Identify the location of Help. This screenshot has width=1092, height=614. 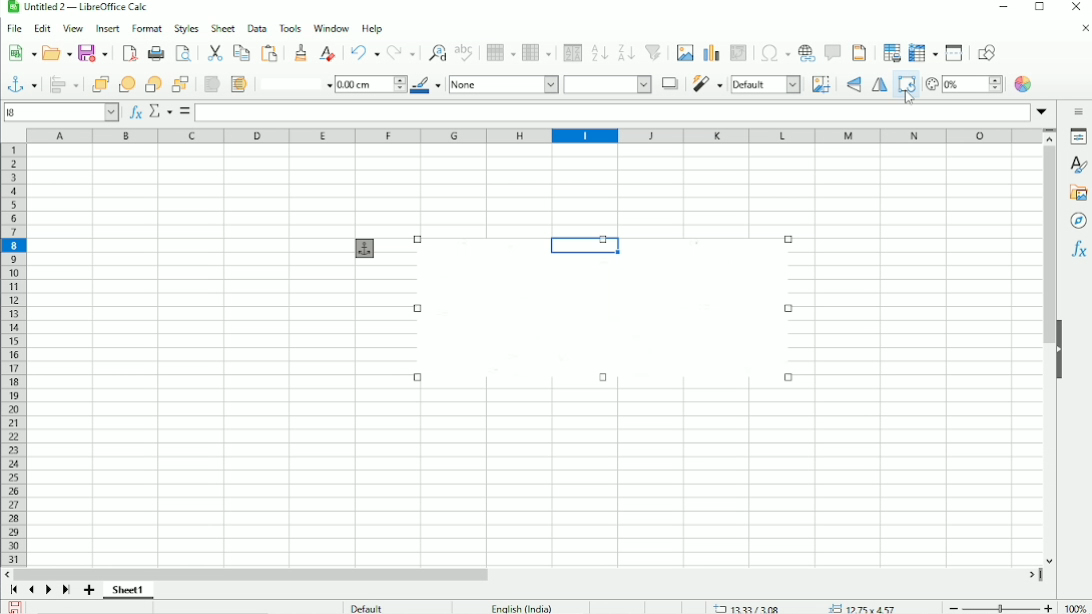
(373, 27).